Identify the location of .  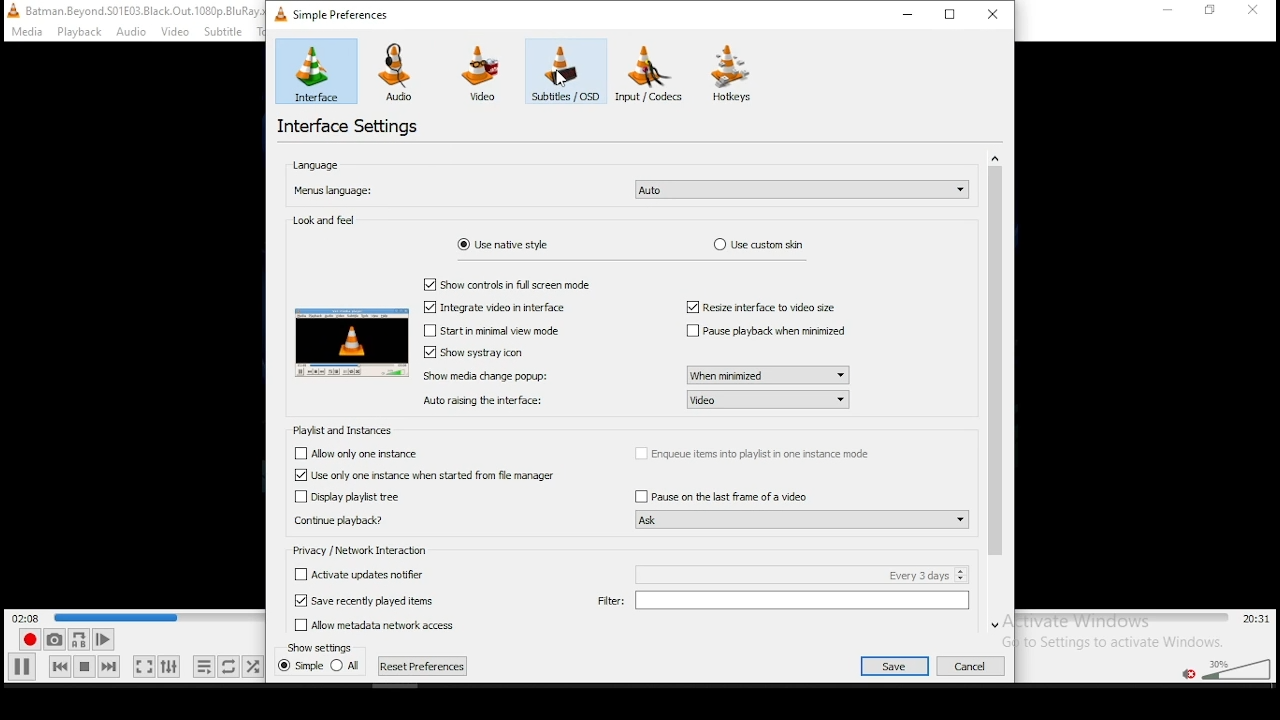
(1214, 14).